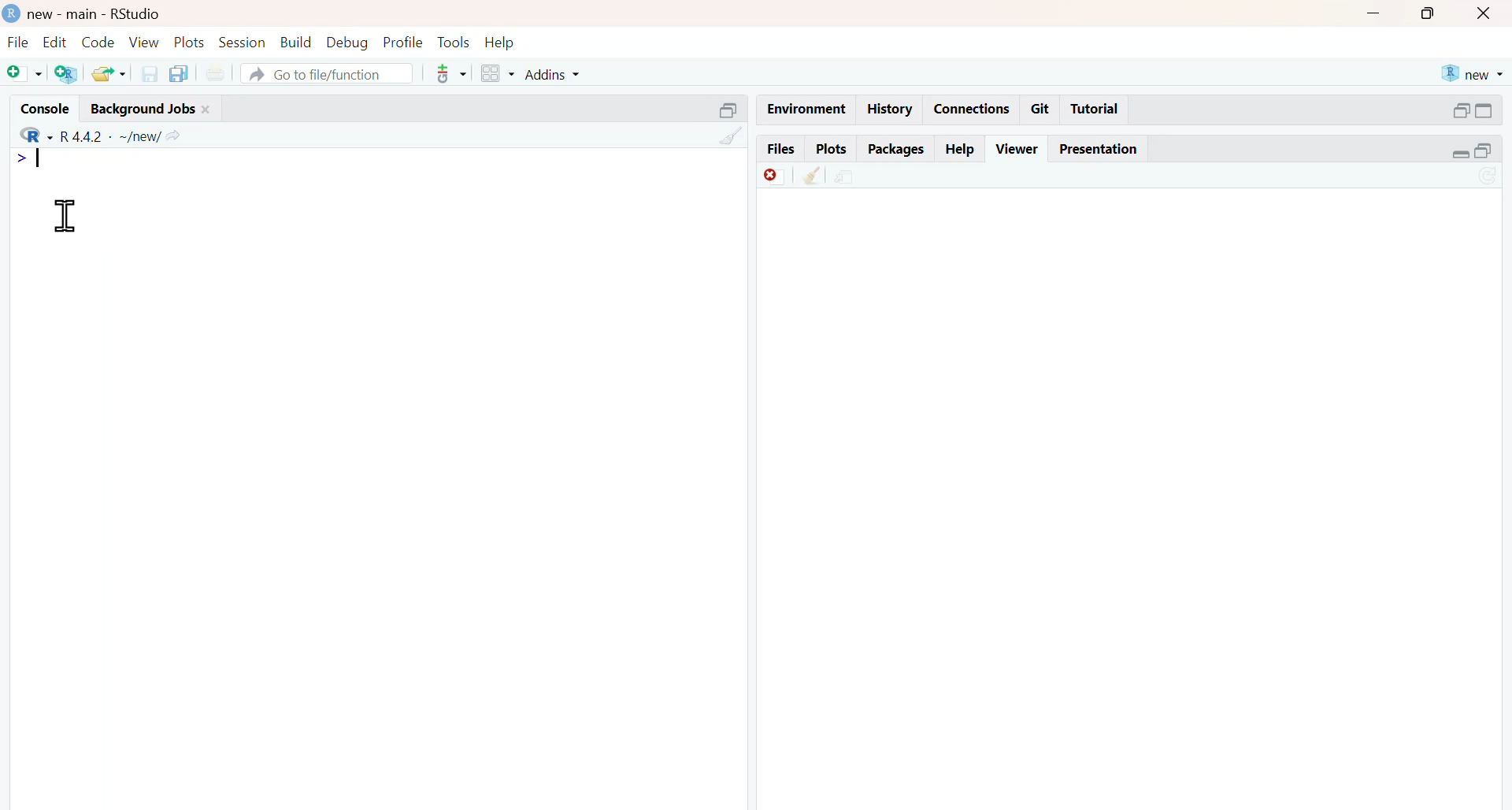  I want to click on share folder as, so click(111, 73).